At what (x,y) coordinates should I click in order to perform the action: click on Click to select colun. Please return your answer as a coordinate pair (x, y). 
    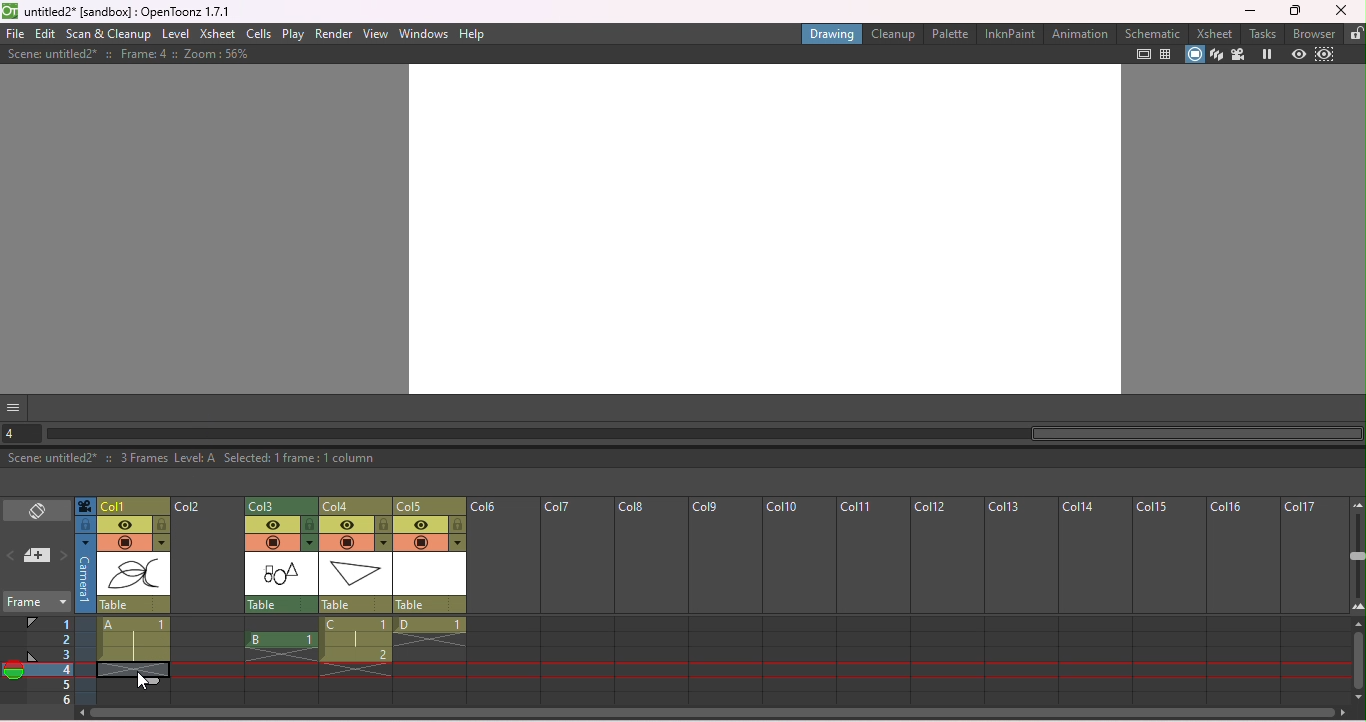
    Looking at the image, I should click on (134, 505).